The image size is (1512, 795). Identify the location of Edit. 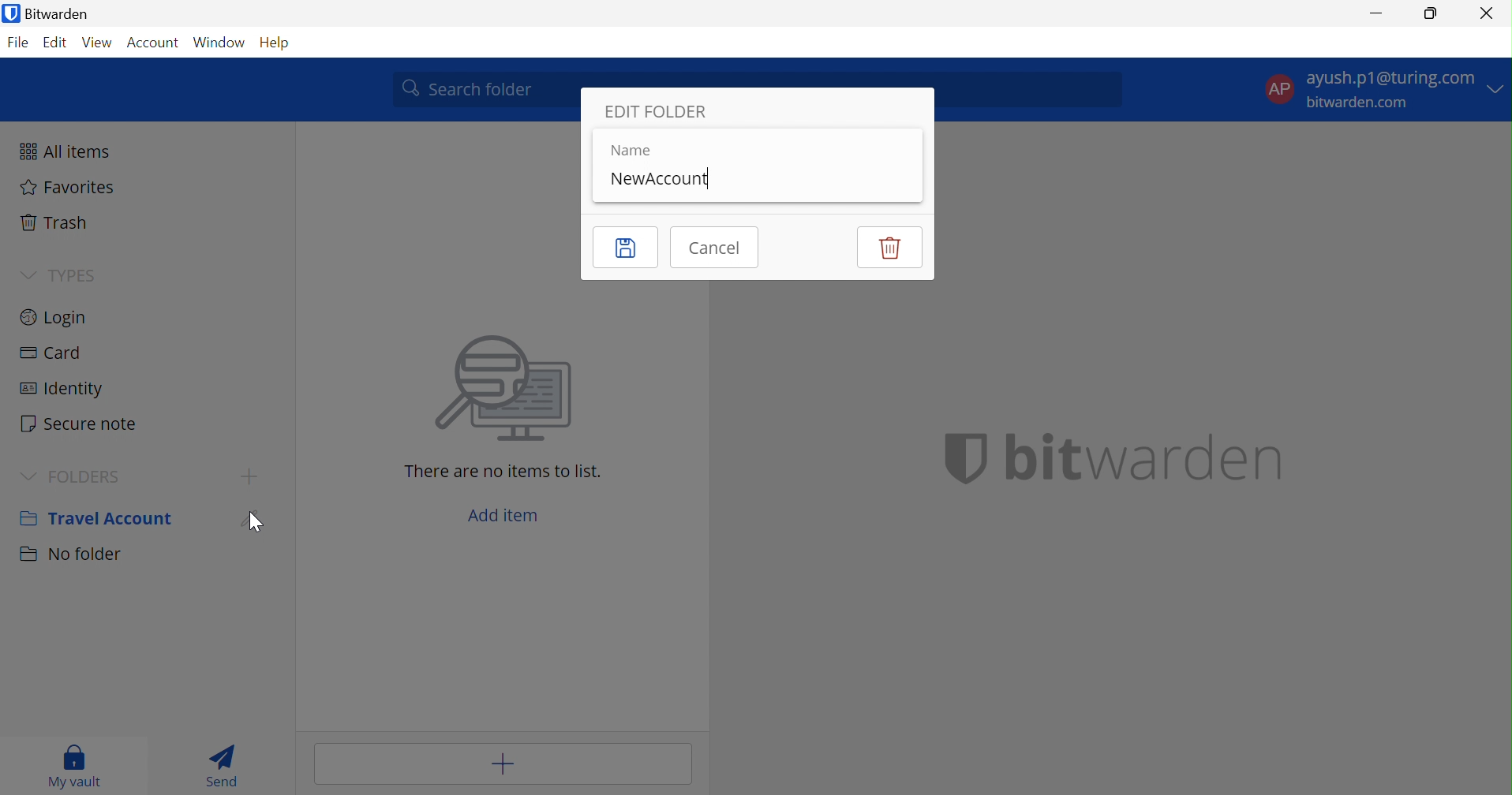
(56, 44).